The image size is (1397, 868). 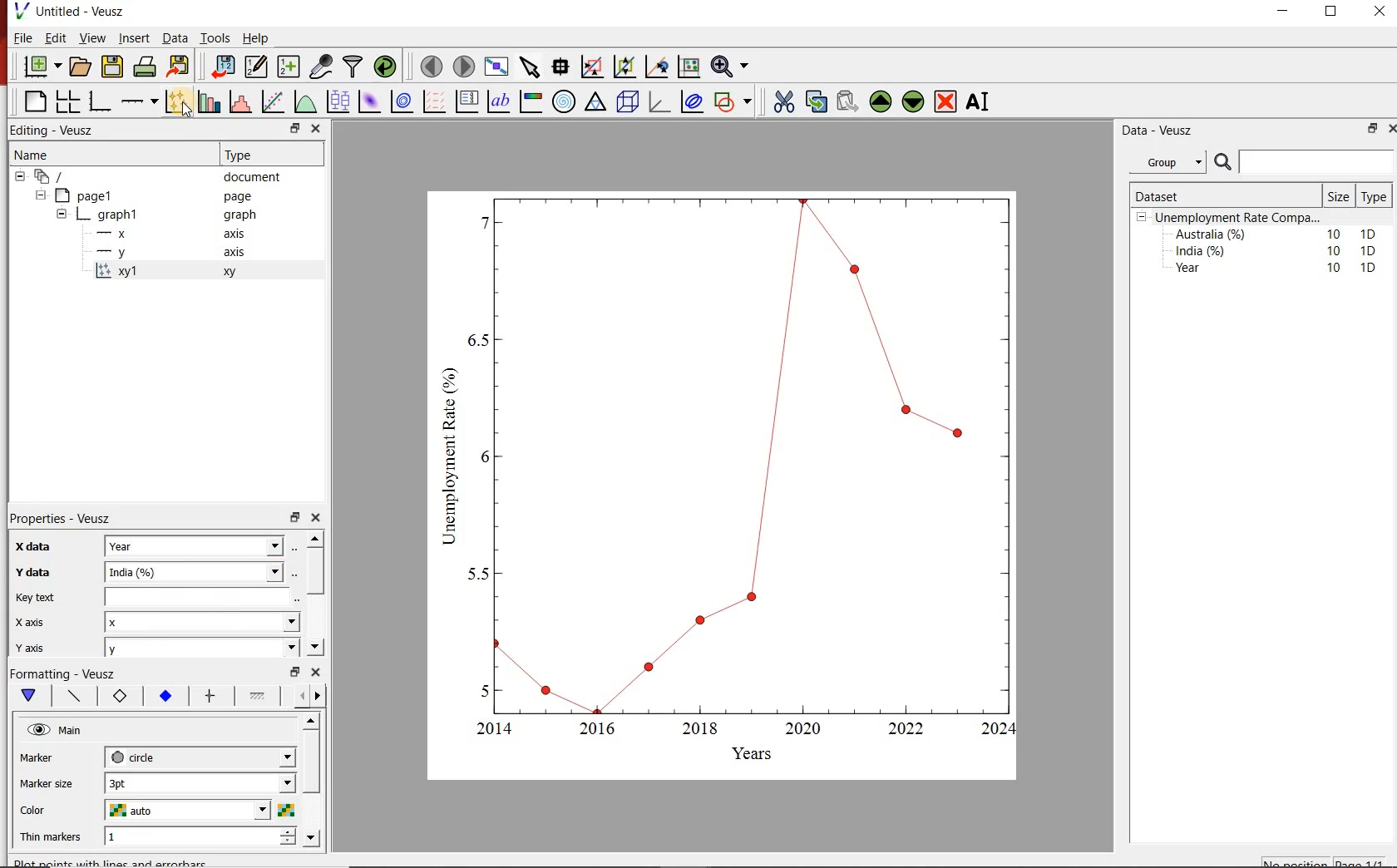 What do you see at coordinates (197, 782) in the screenshot?
I see `1 pt` at bounding box center [197, 782].